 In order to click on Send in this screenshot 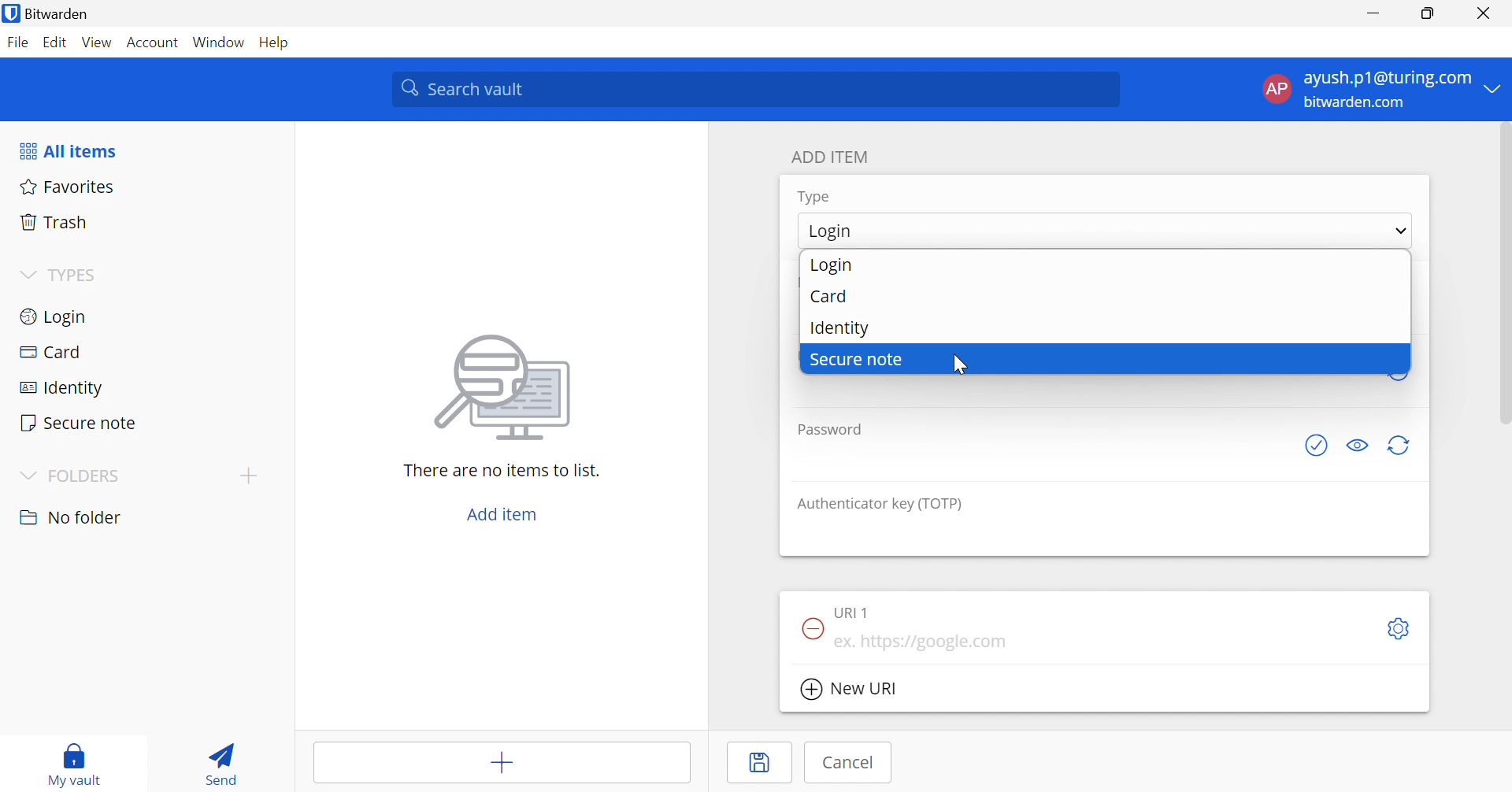, I will do `click(224, 761)`.